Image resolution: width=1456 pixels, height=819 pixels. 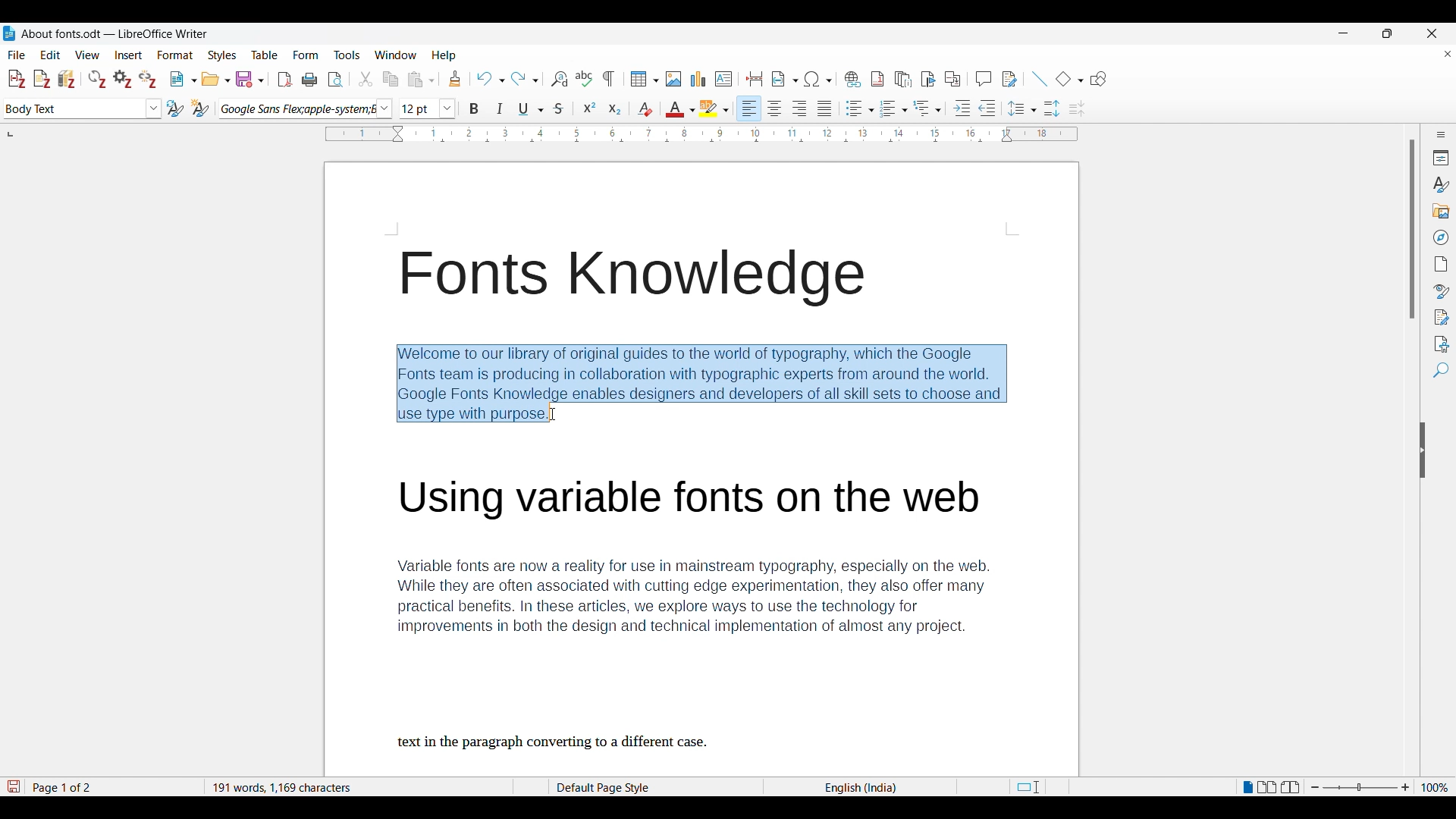 What do you see at coordinates (819, 79) in the screenshot?
I see `Special character options` at bounding box center [819, 79].